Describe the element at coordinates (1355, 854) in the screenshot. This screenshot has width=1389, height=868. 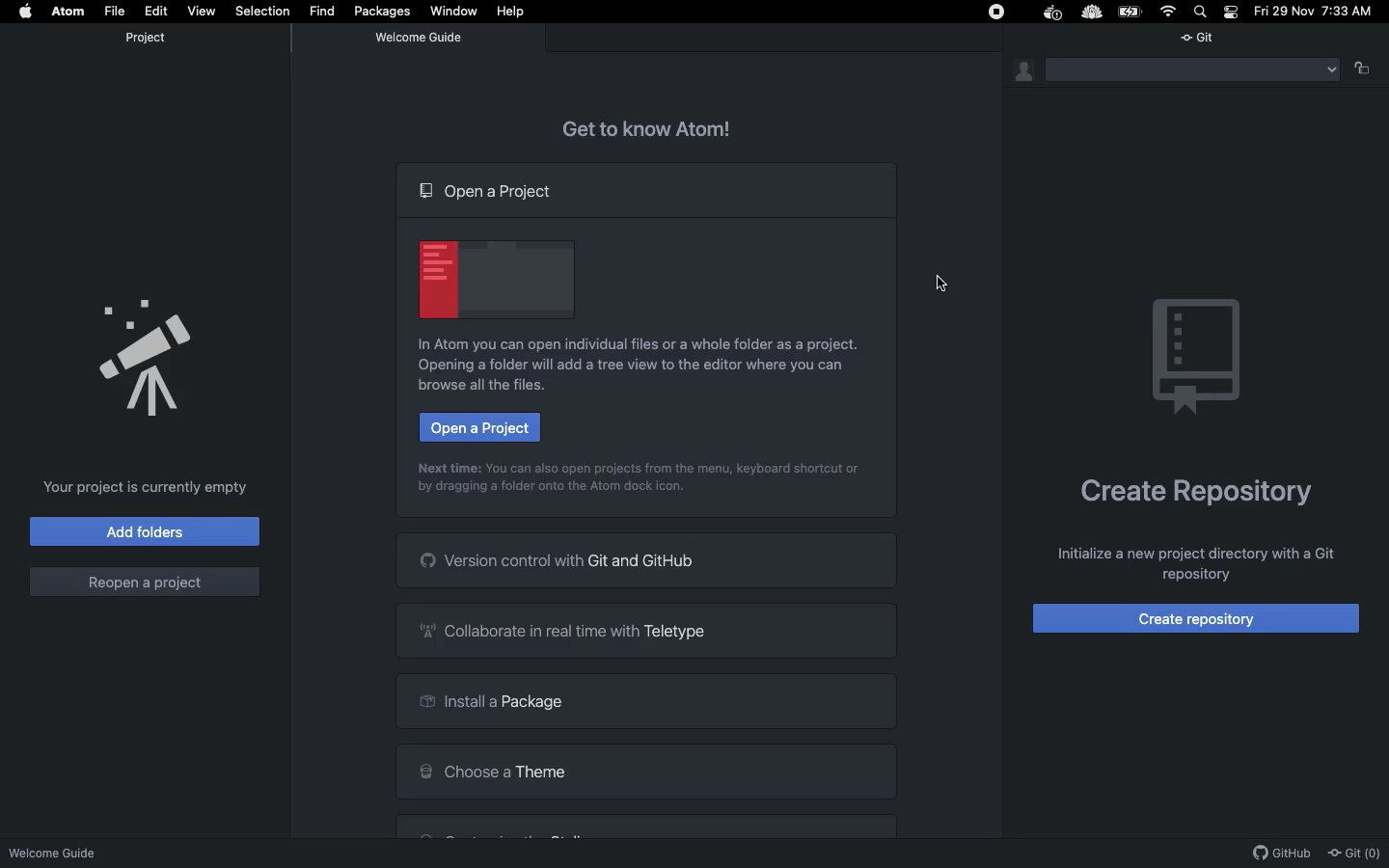
I see `Git` at that location.